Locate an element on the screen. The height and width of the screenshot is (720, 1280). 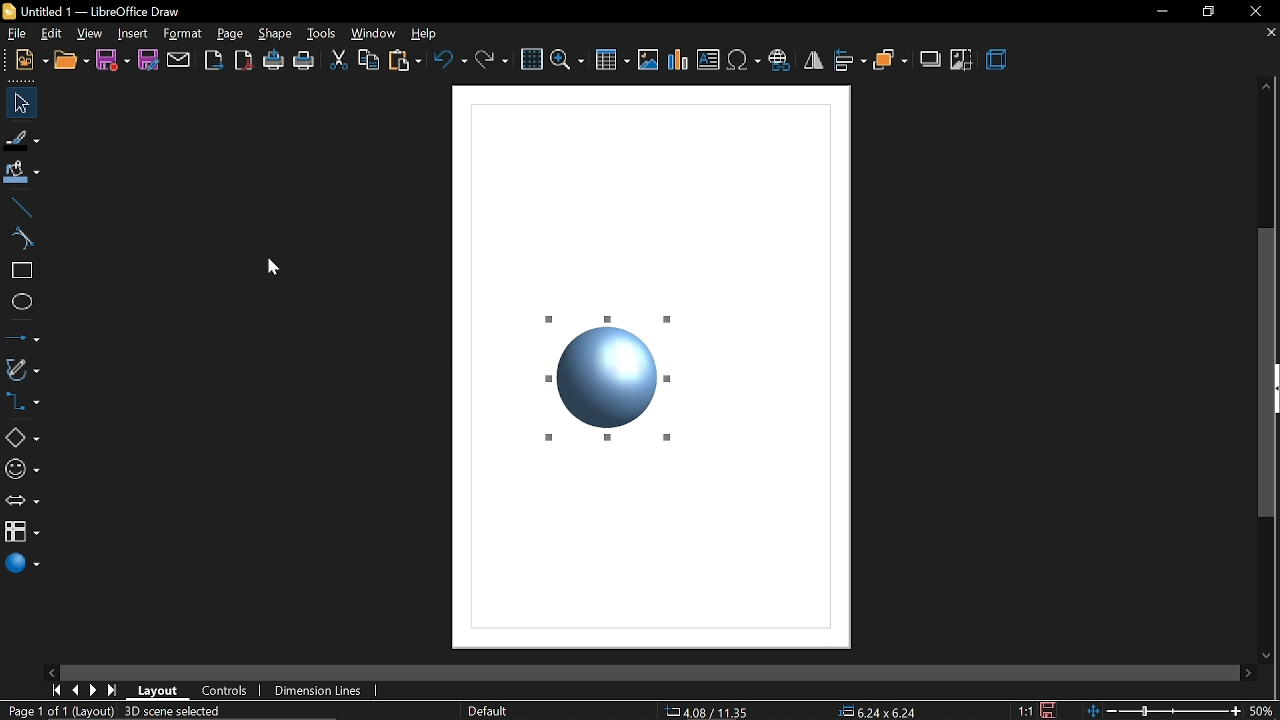
Sphere added is located at coordinates (607, 379).